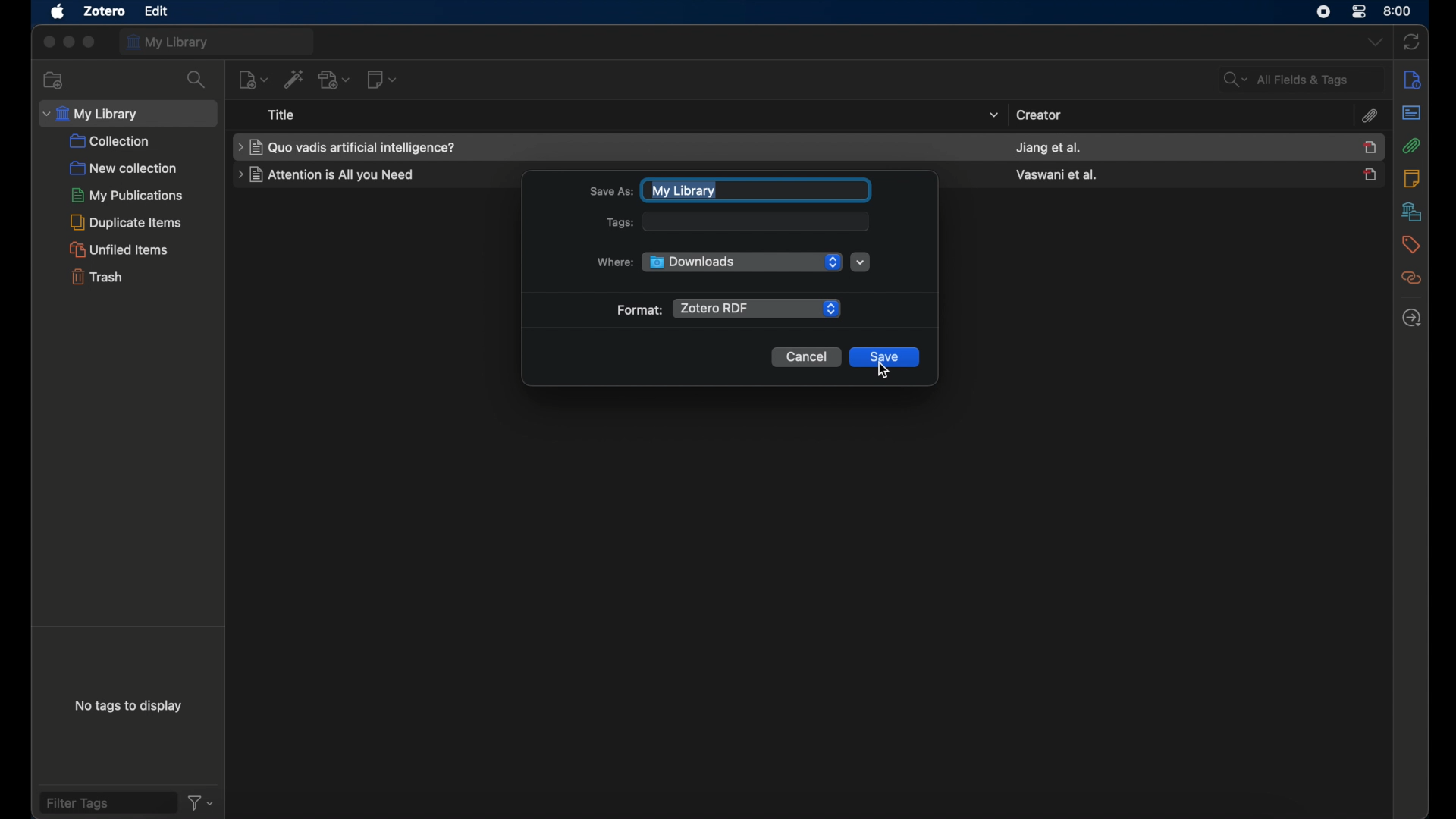 The width and height of the screenshot is (1456, 819). What do you see at coordinates (885, 358) in the screenshot?
I see `save` at bounding box center [885, 358].